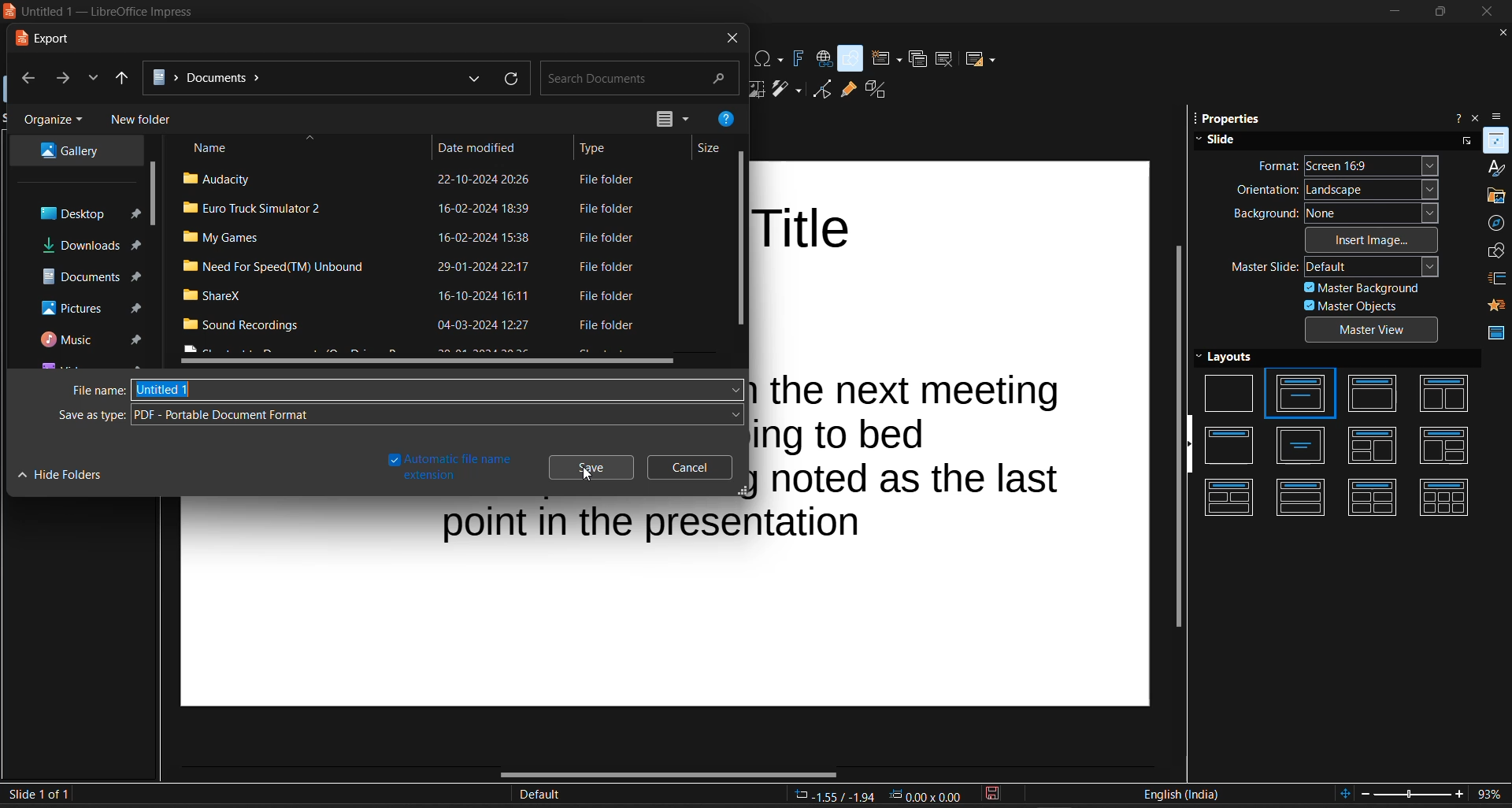 The height and width of the screenshot is (808, 1512). I want to click on properties, so click(1496, 141).